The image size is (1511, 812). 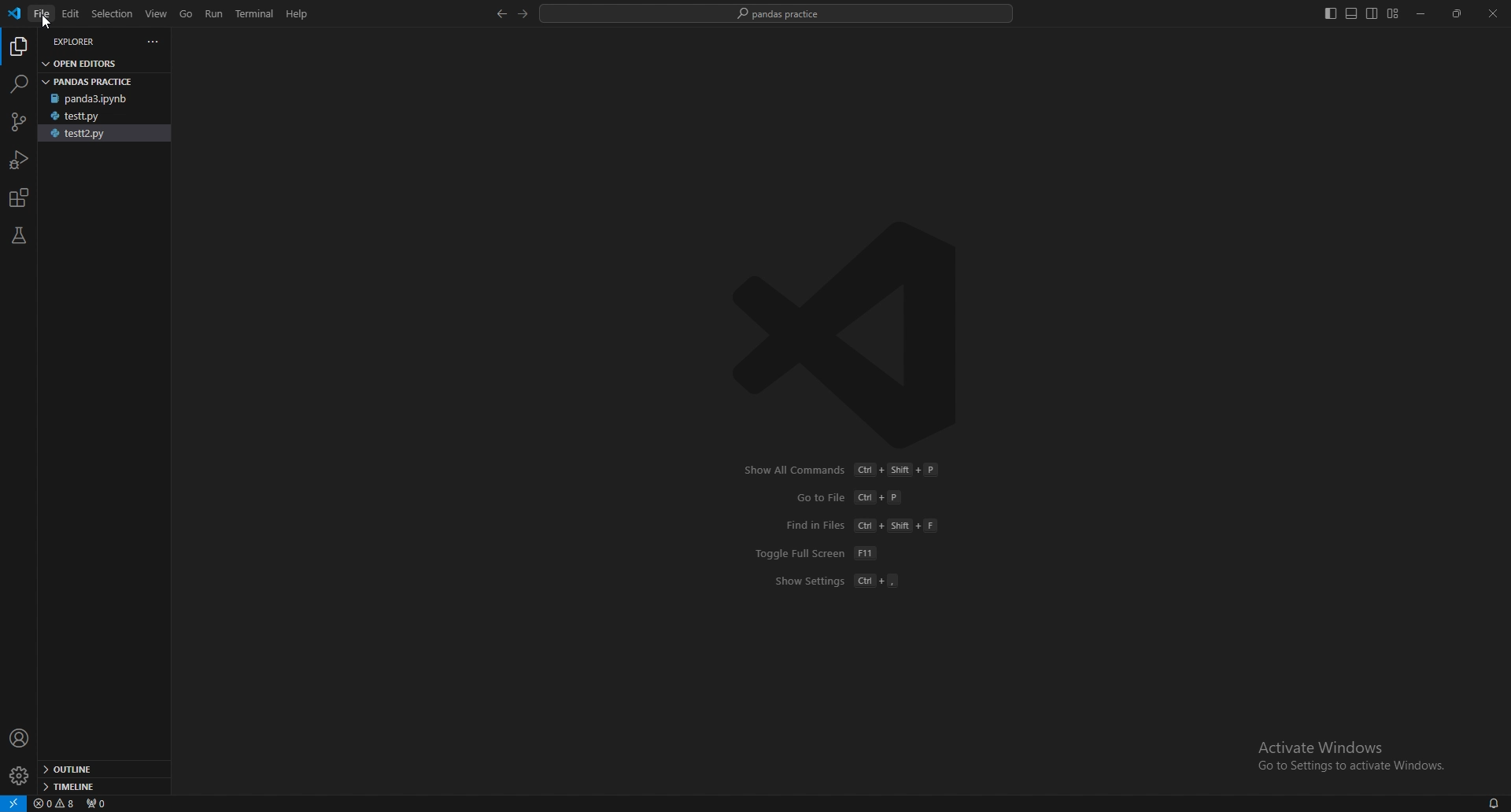 I want to click on terminal, so click(x=256, y=13).